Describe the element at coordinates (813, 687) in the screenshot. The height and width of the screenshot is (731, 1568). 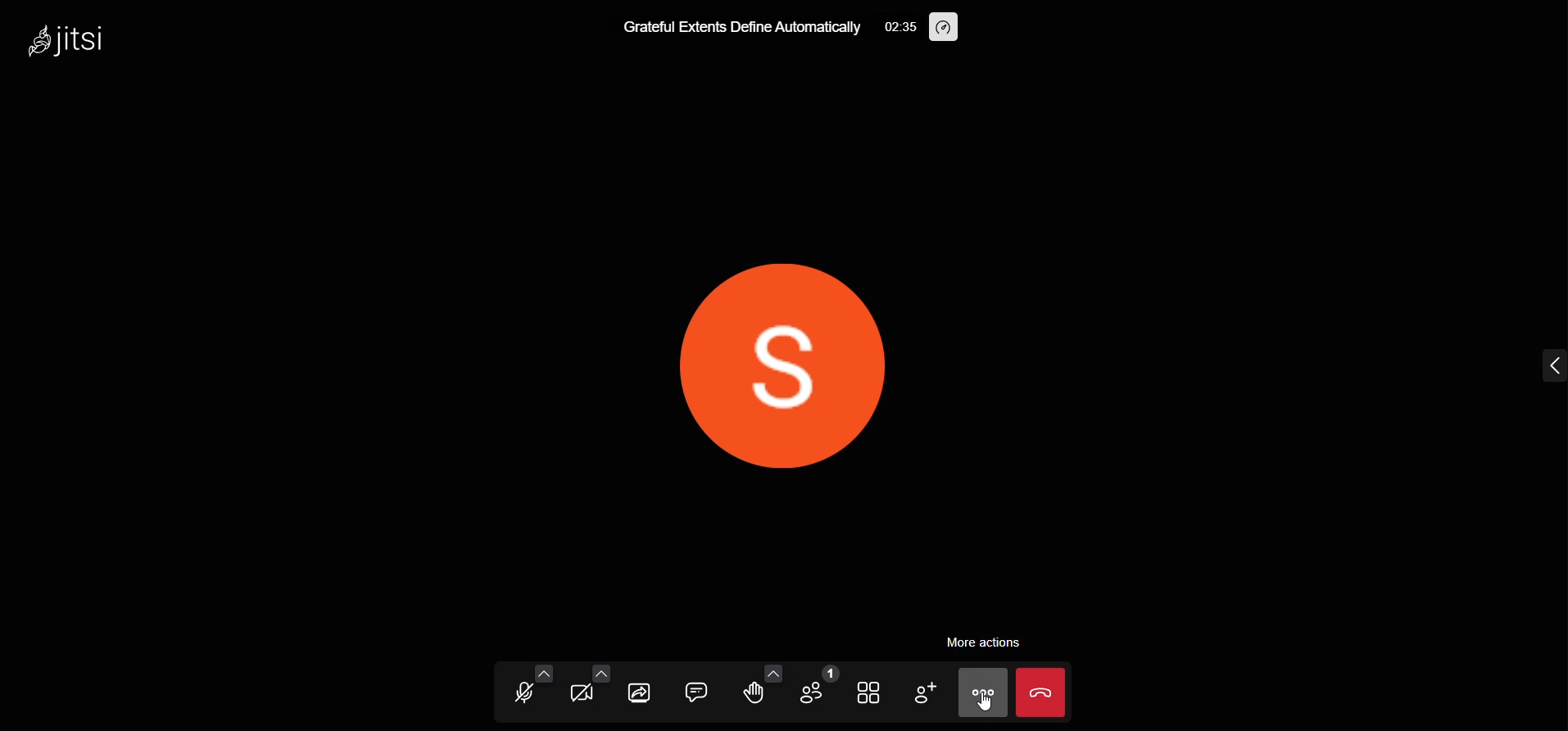
I see `participants` at that location.